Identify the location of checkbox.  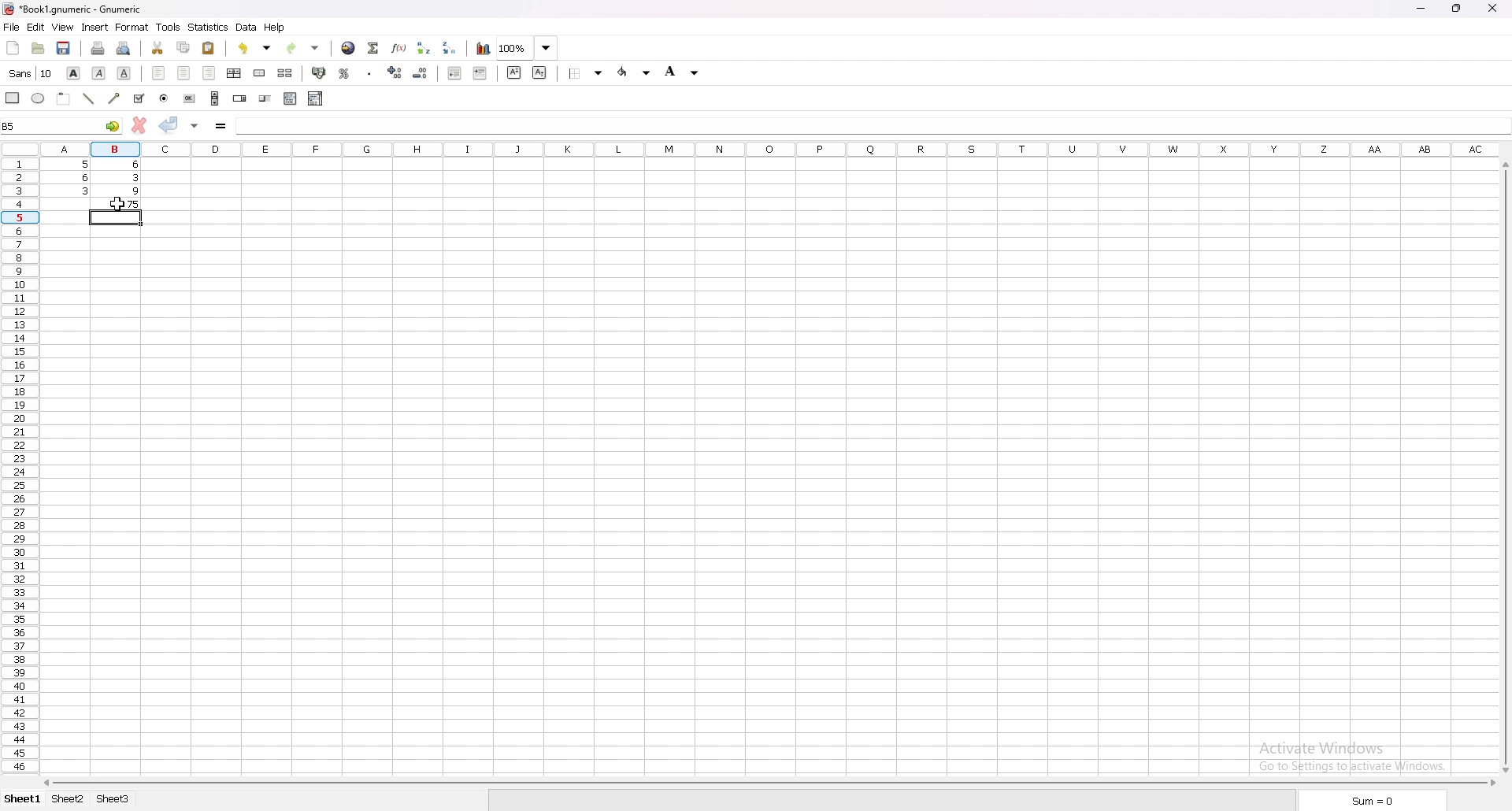
(138, 98).